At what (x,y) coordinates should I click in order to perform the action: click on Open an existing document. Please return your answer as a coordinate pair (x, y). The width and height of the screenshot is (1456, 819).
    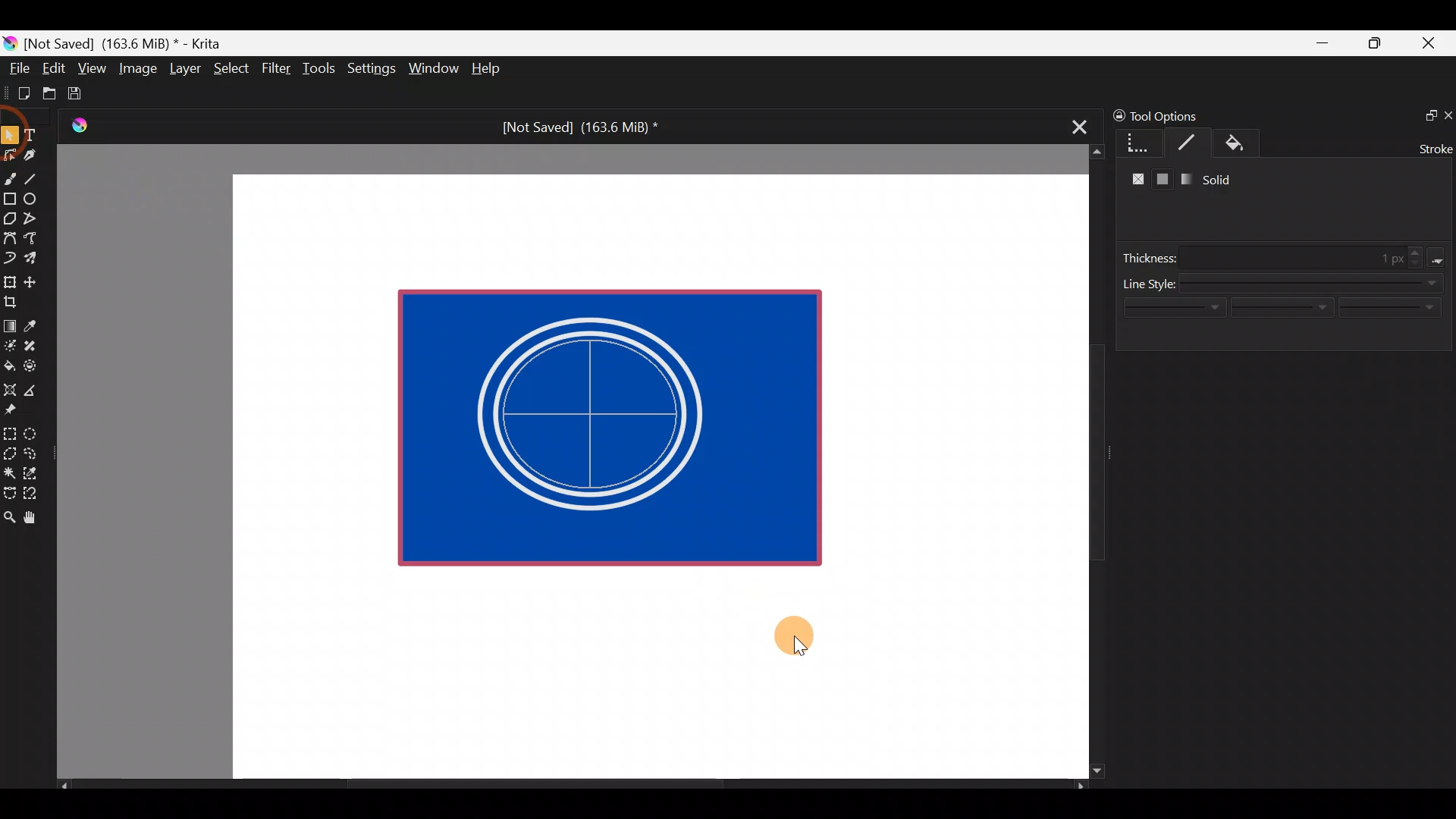
    Looking at the image, I should click on (50, 96).